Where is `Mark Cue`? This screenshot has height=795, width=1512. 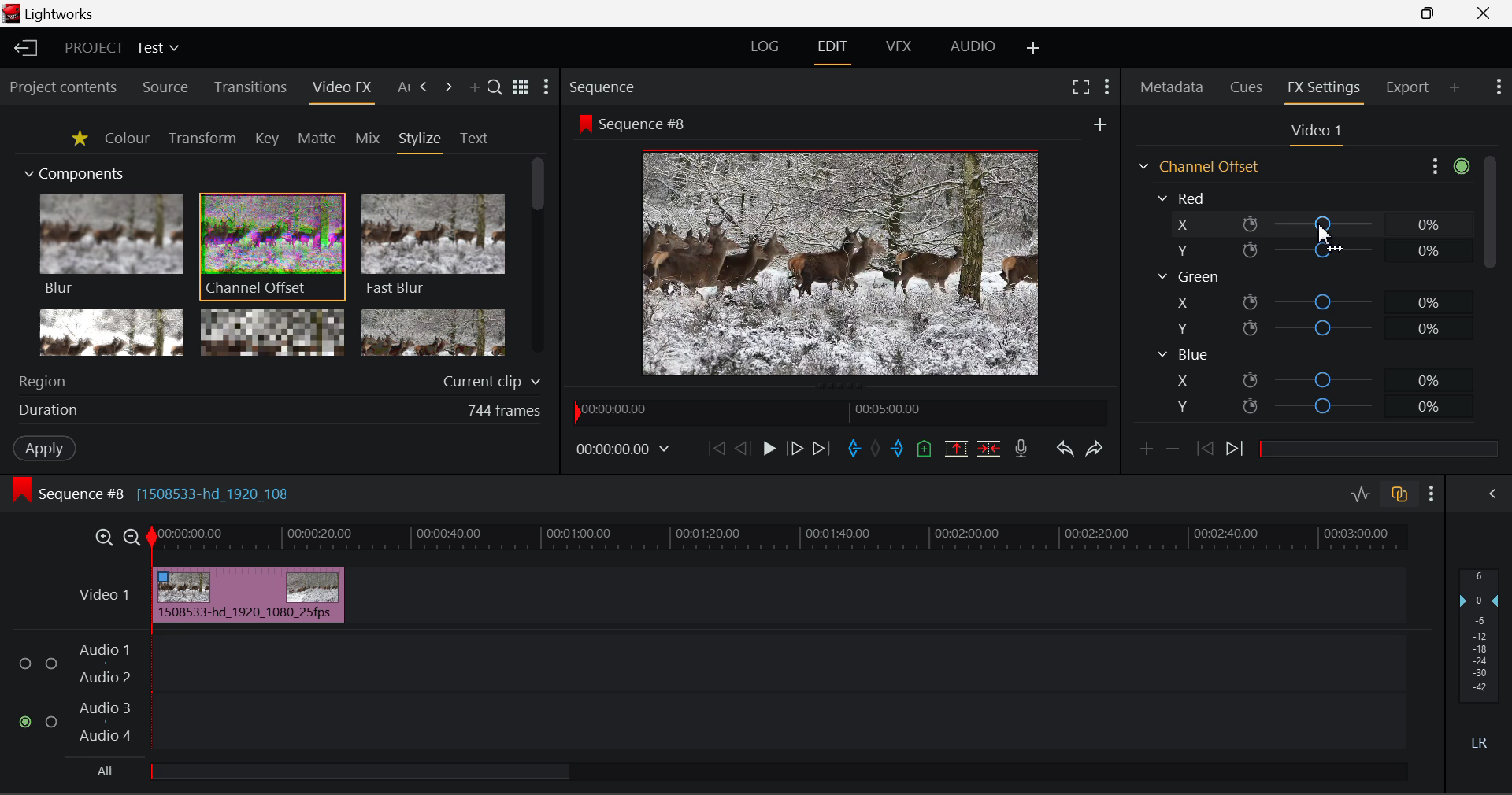 Mark Cue is located at coordinates (925, 447).